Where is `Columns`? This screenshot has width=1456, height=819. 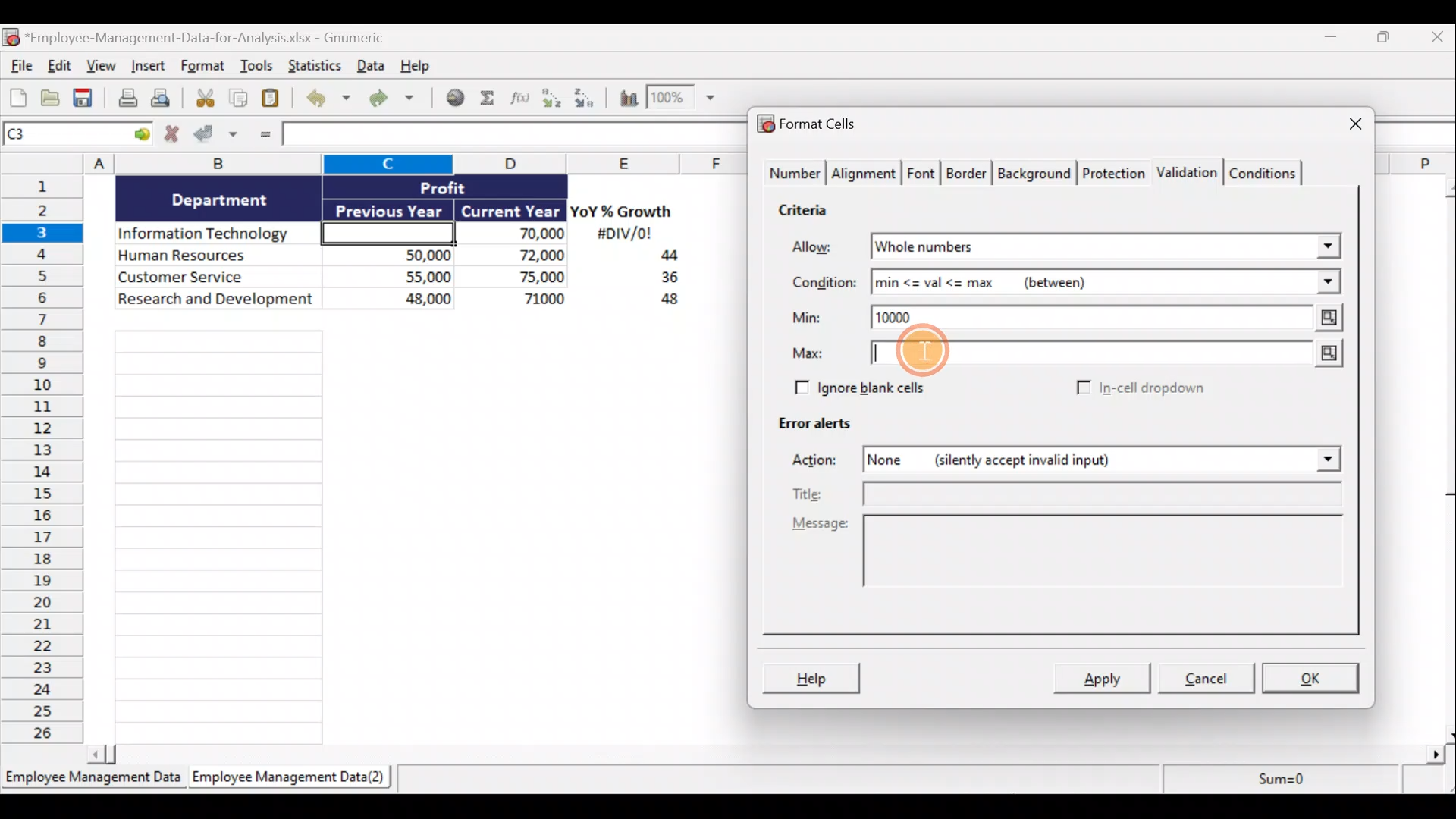
Columns is located at coordinates (380, 163).